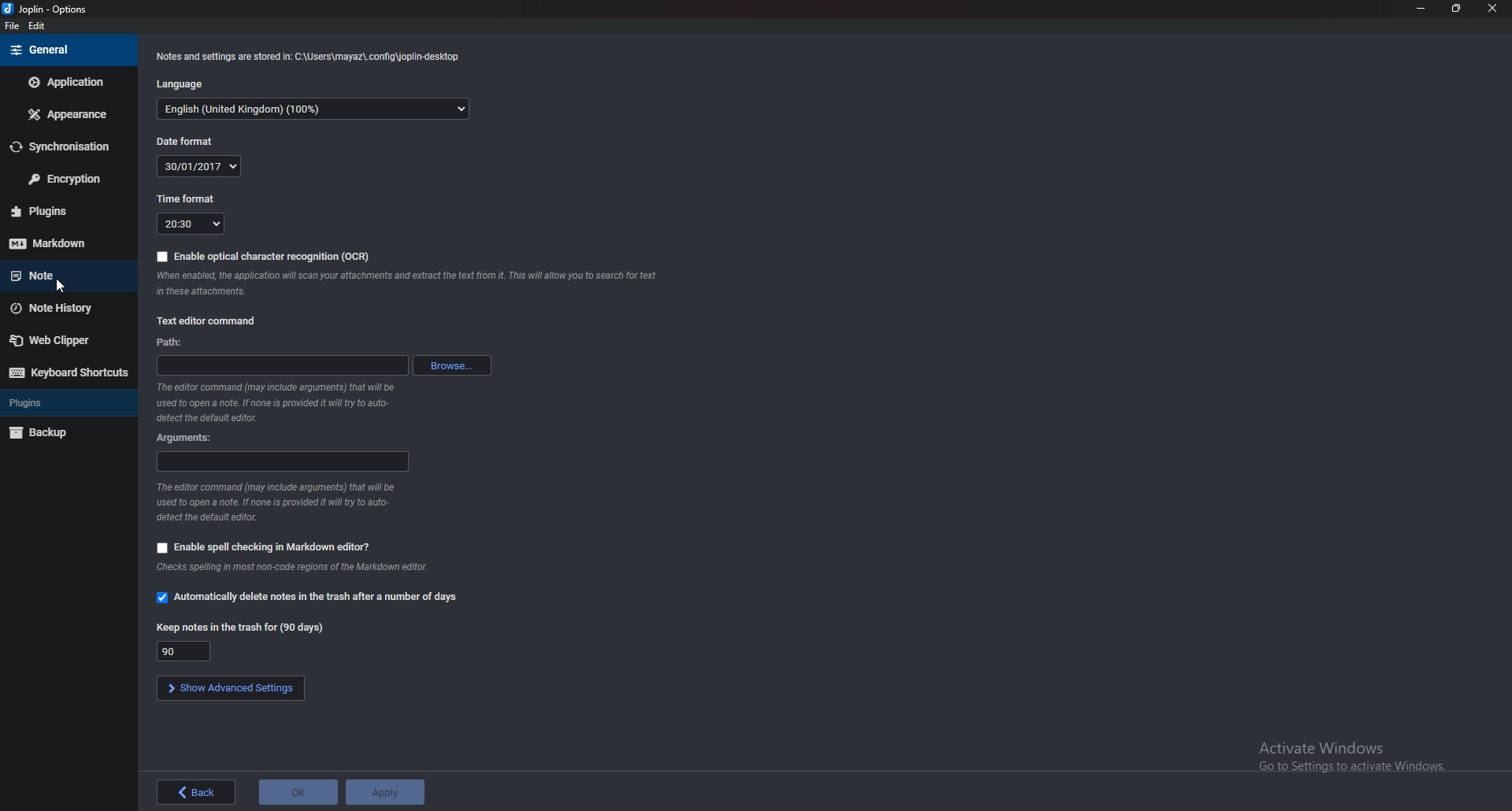 Image resolution: width=1512 pixels, height=811 pixels. What do you see at coordinates (300, 794) in the screenshot?
I see `ok` at bounding box center [300, 794].